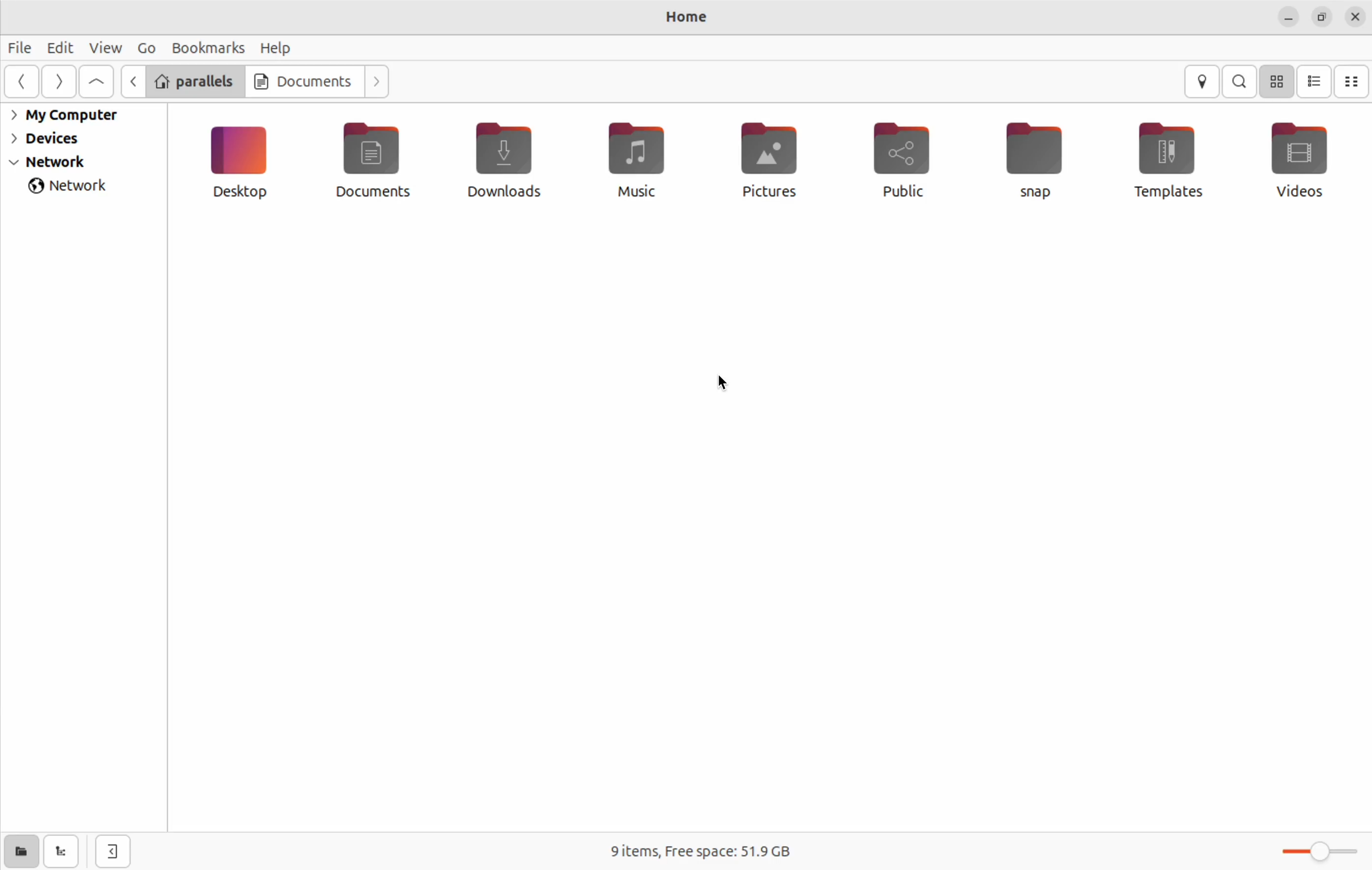 Image resolution: width=1372 pixels, height=870 pixels. I want to click on Edit, so click(59, 48).